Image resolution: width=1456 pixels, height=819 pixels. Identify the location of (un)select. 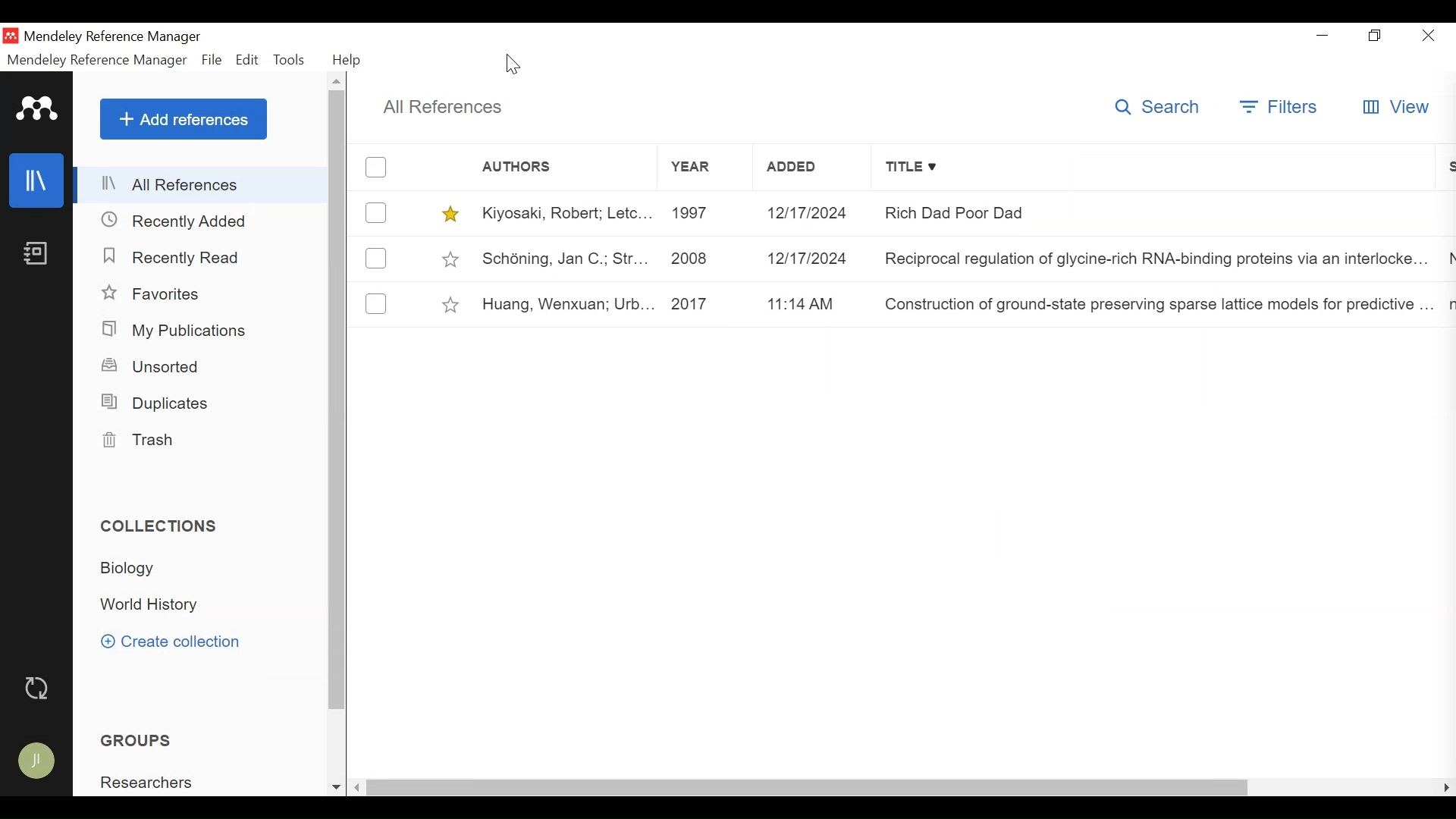
(375, 212).